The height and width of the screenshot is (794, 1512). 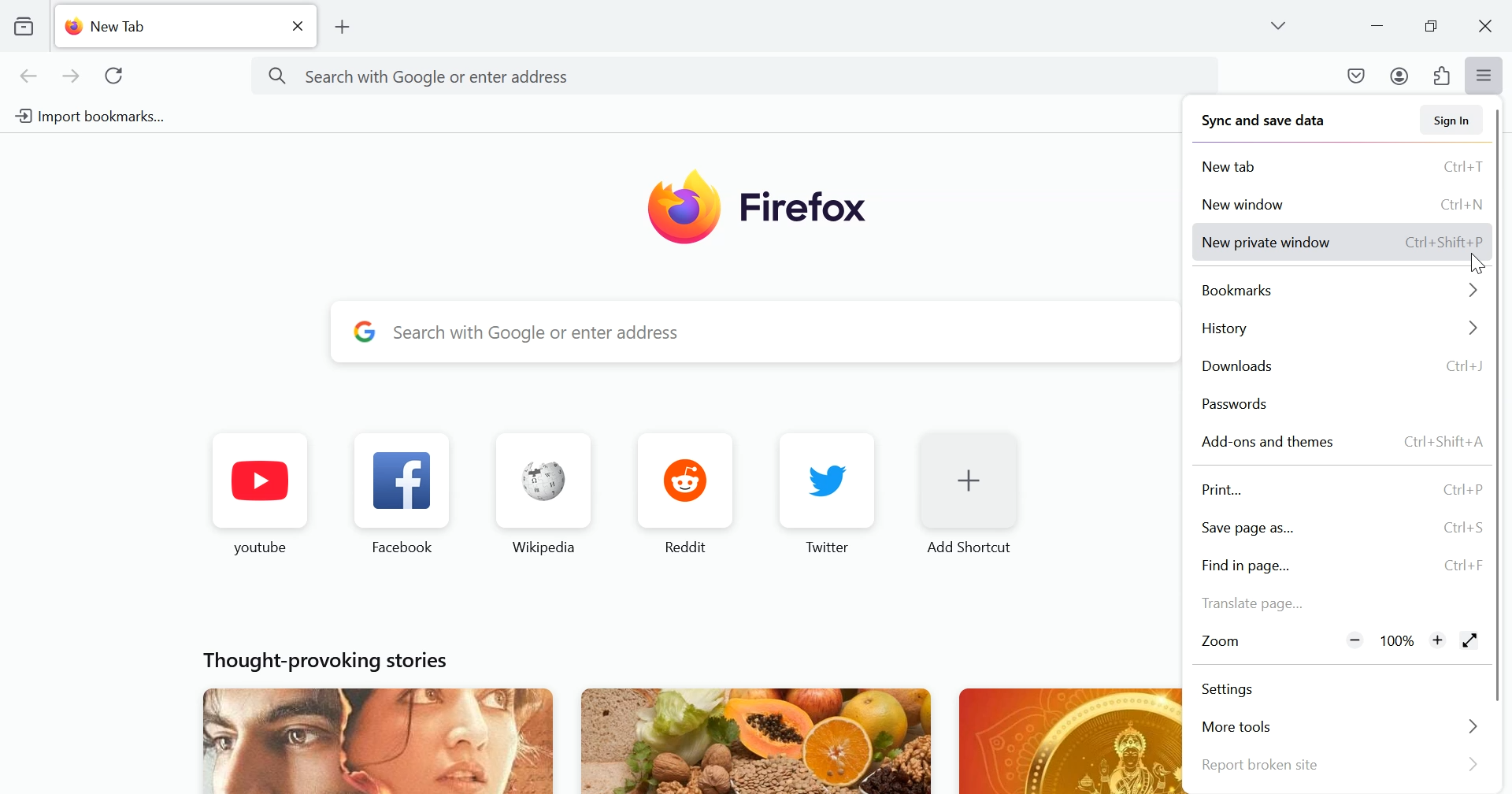 I want to click on new private window, so click(x=1342, y=242).